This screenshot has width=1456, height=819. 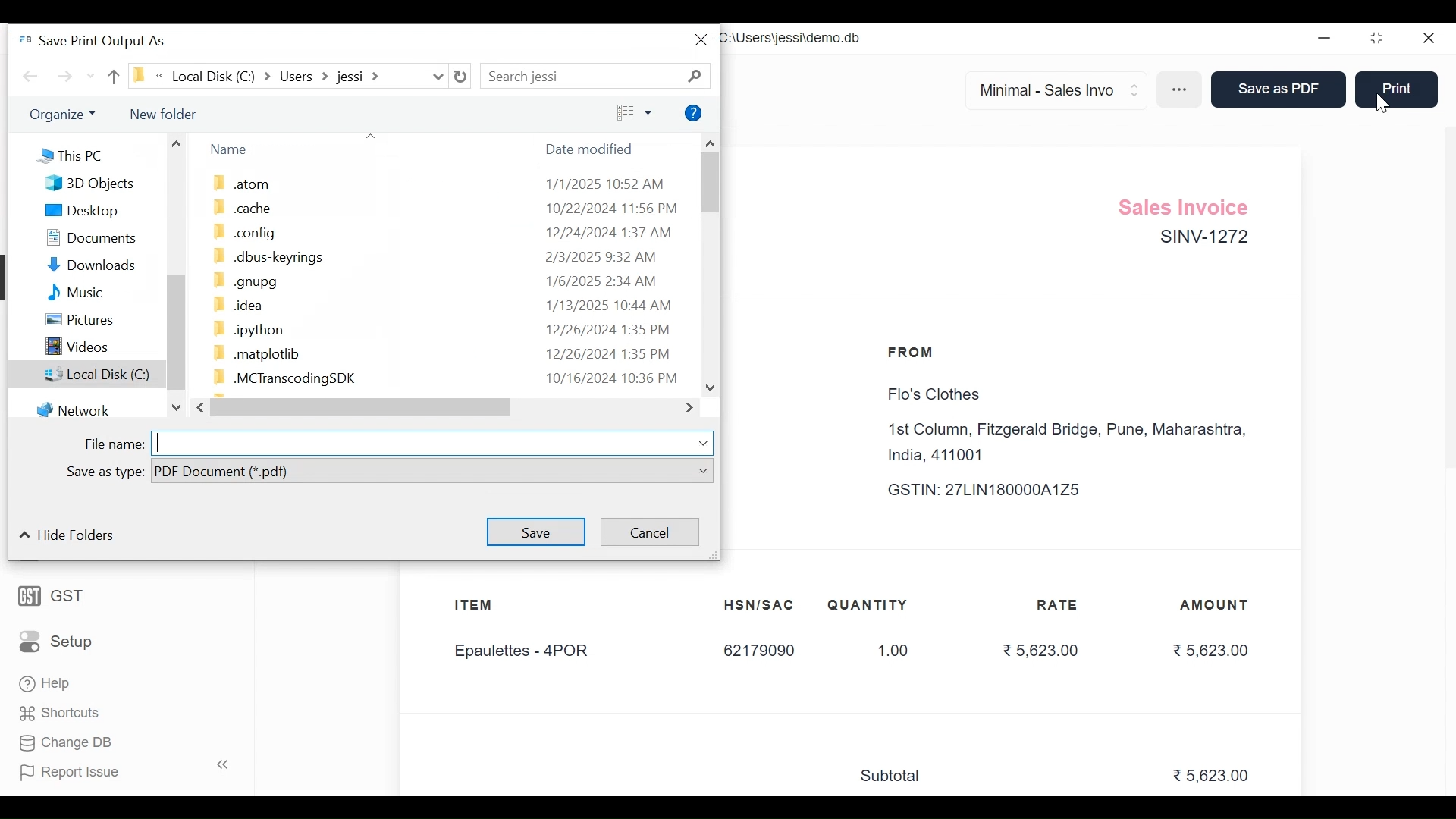 I want to click on Help, so click(x=695, y=114).